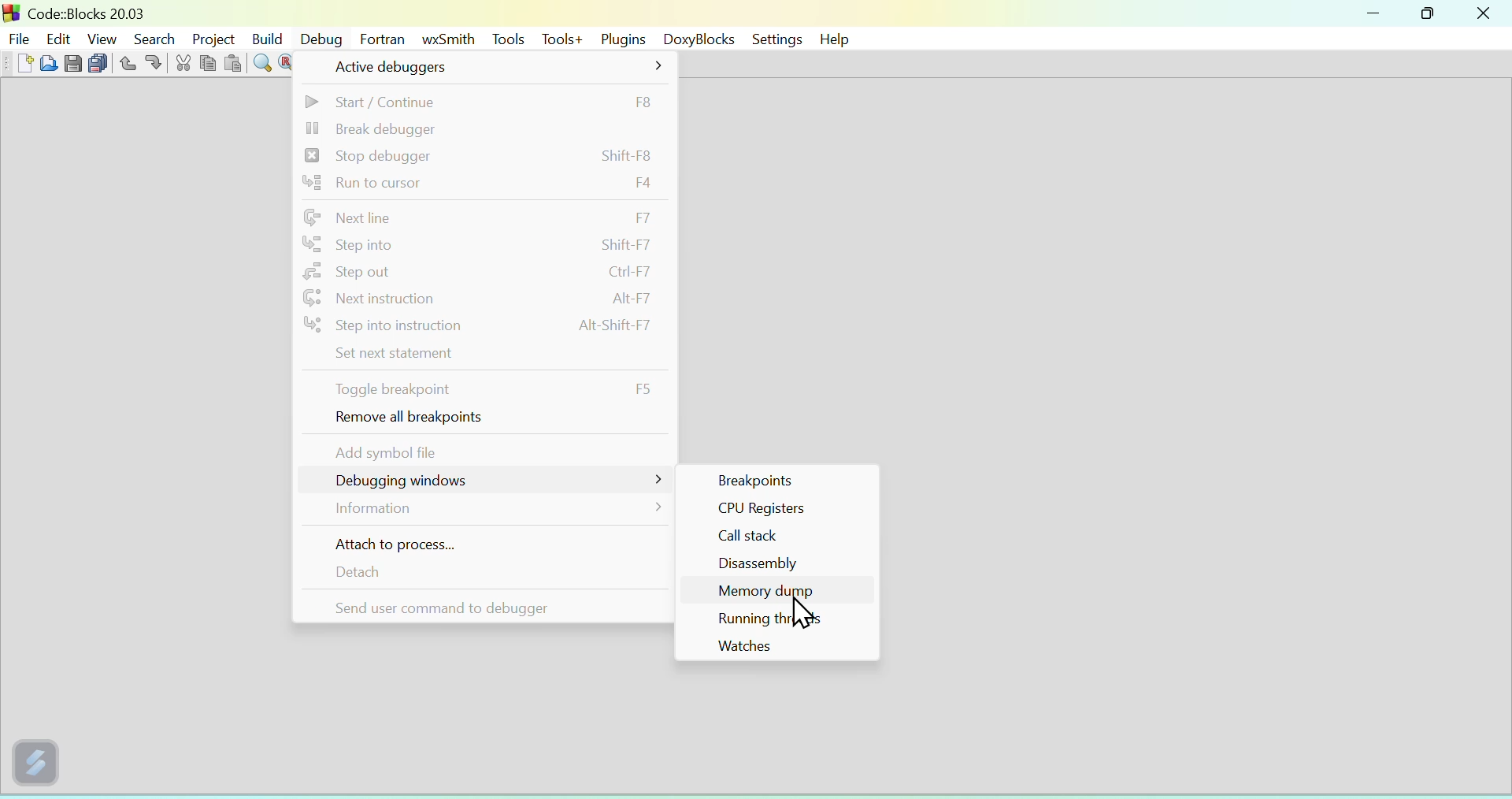 This screenshot has width=1512, height=799. What do you see at coordinates (481, 482) in the screenshot?
I see `debugging window` at bounding box center [481, 482].